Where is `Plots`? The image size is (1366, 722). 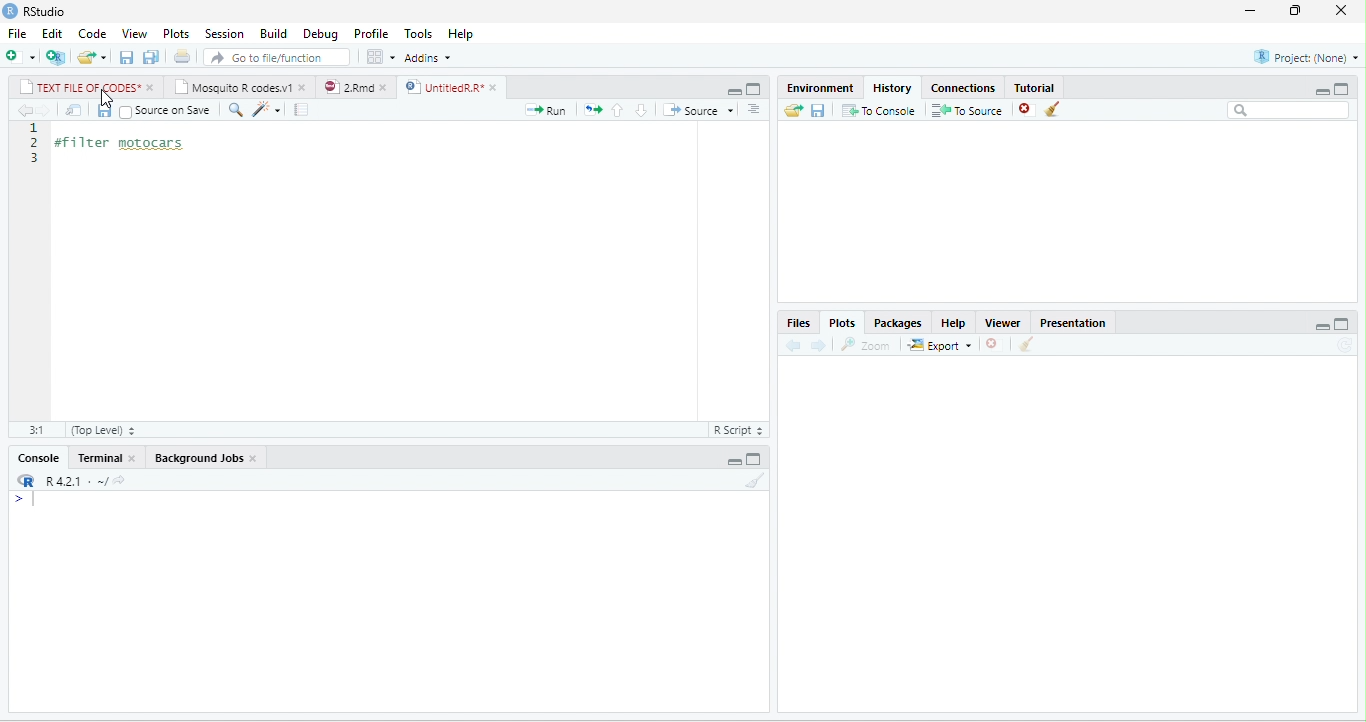
Plots is located at coordinates (843, 323).